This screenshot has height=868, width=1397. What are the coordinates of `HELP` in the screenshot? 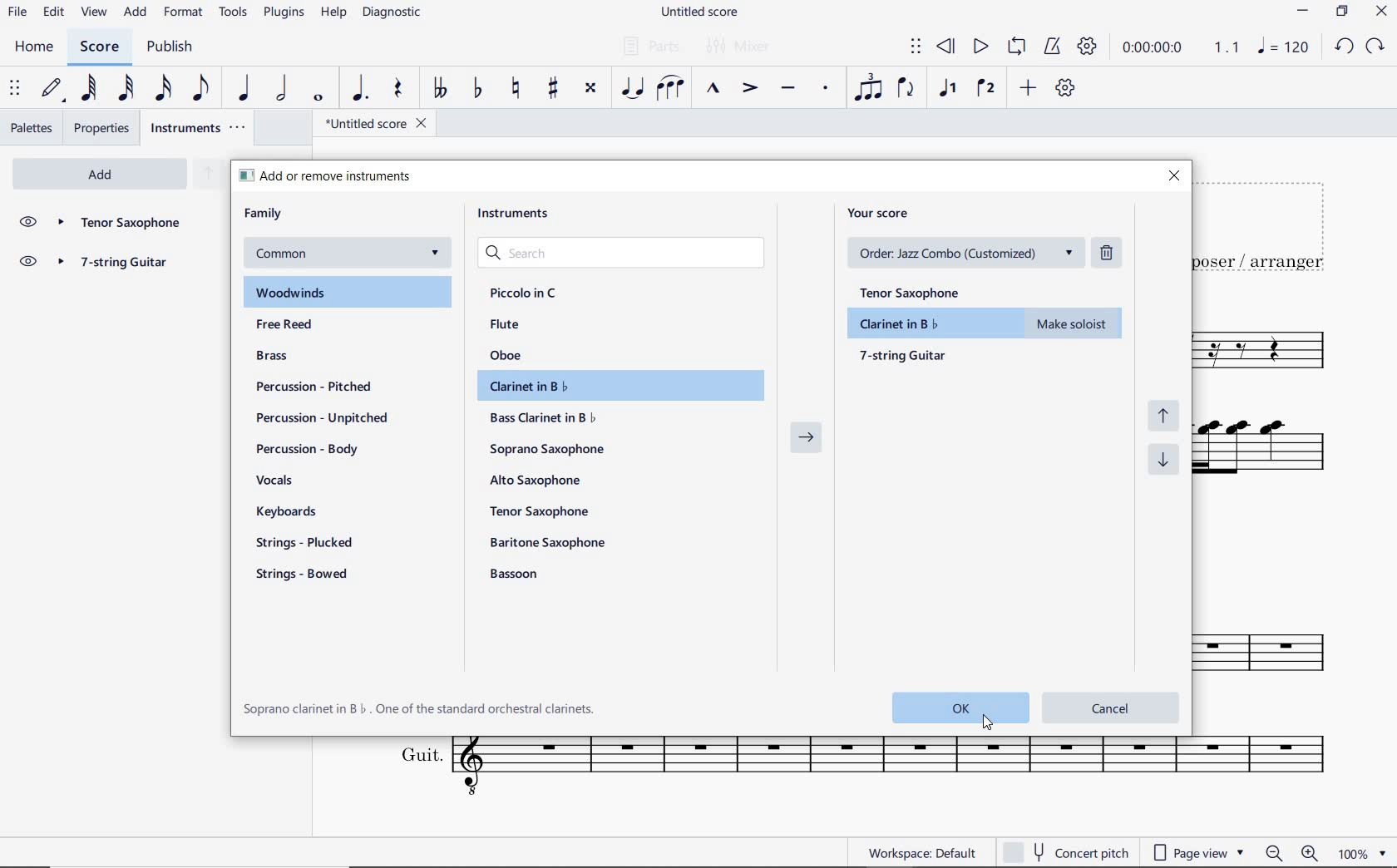 It's located at (331, 14).